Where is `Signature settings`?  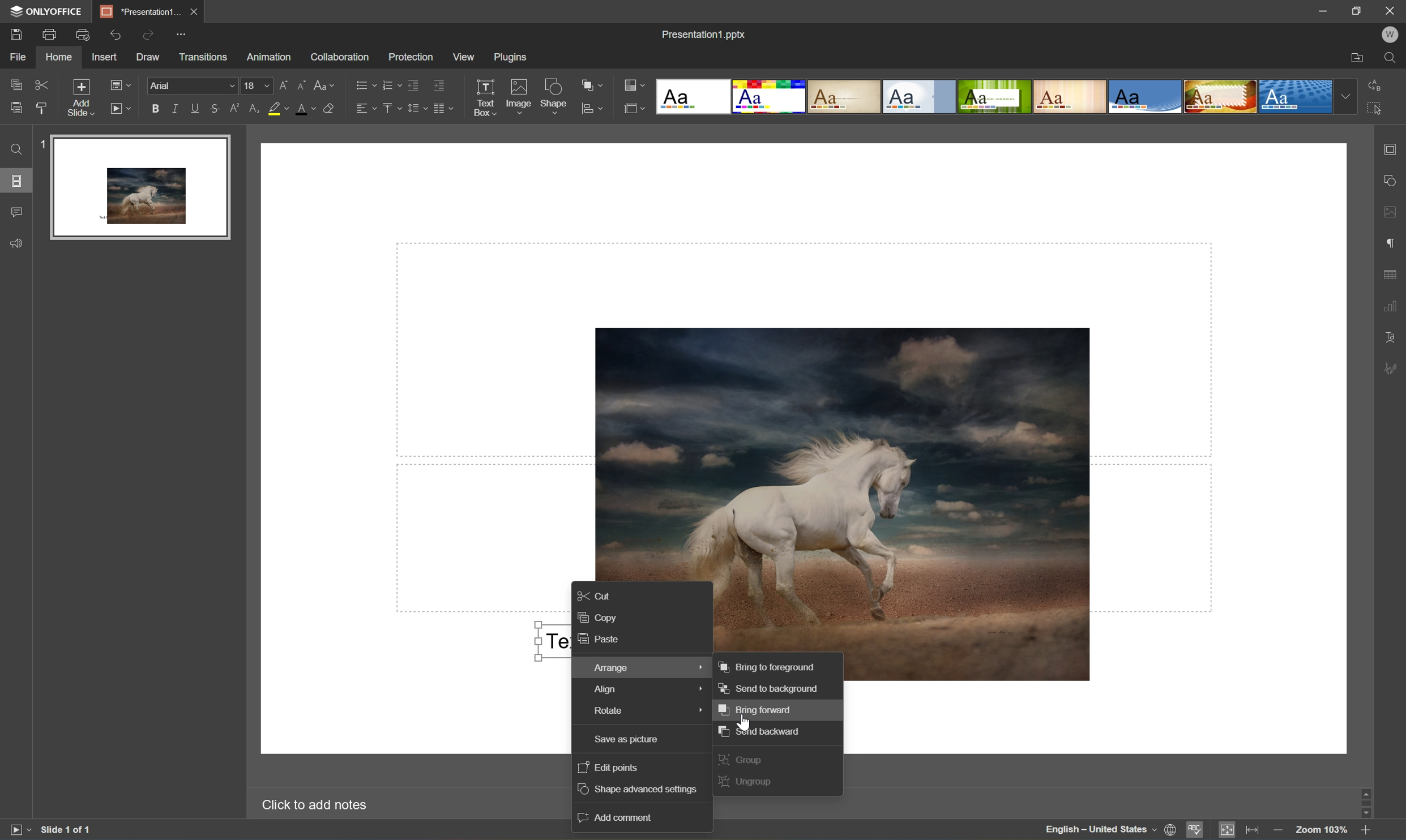 Signature settings is located at coordinates (1391, 368).